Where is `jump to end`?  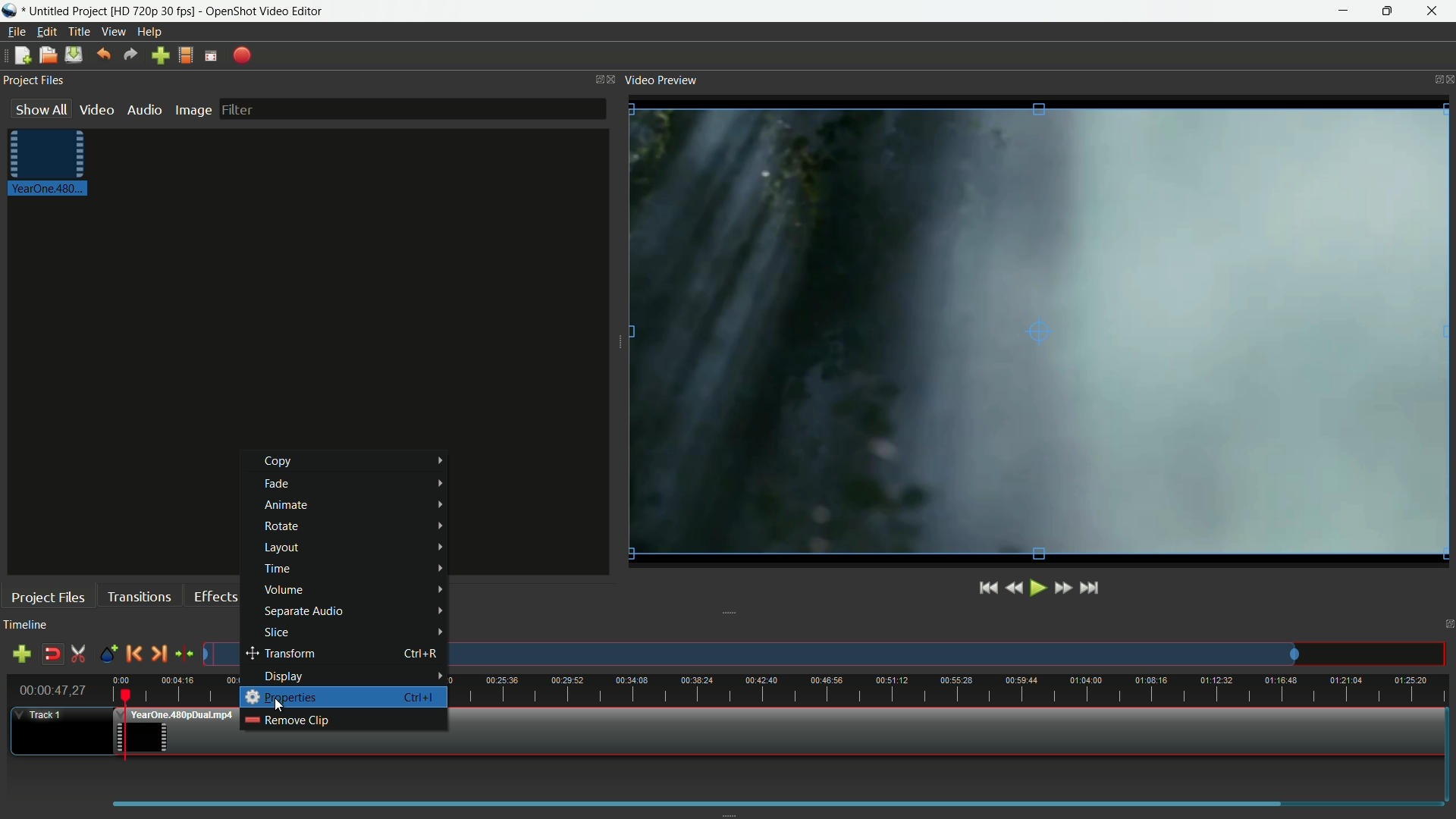 jump to end is located at coordinates (1088, 588).